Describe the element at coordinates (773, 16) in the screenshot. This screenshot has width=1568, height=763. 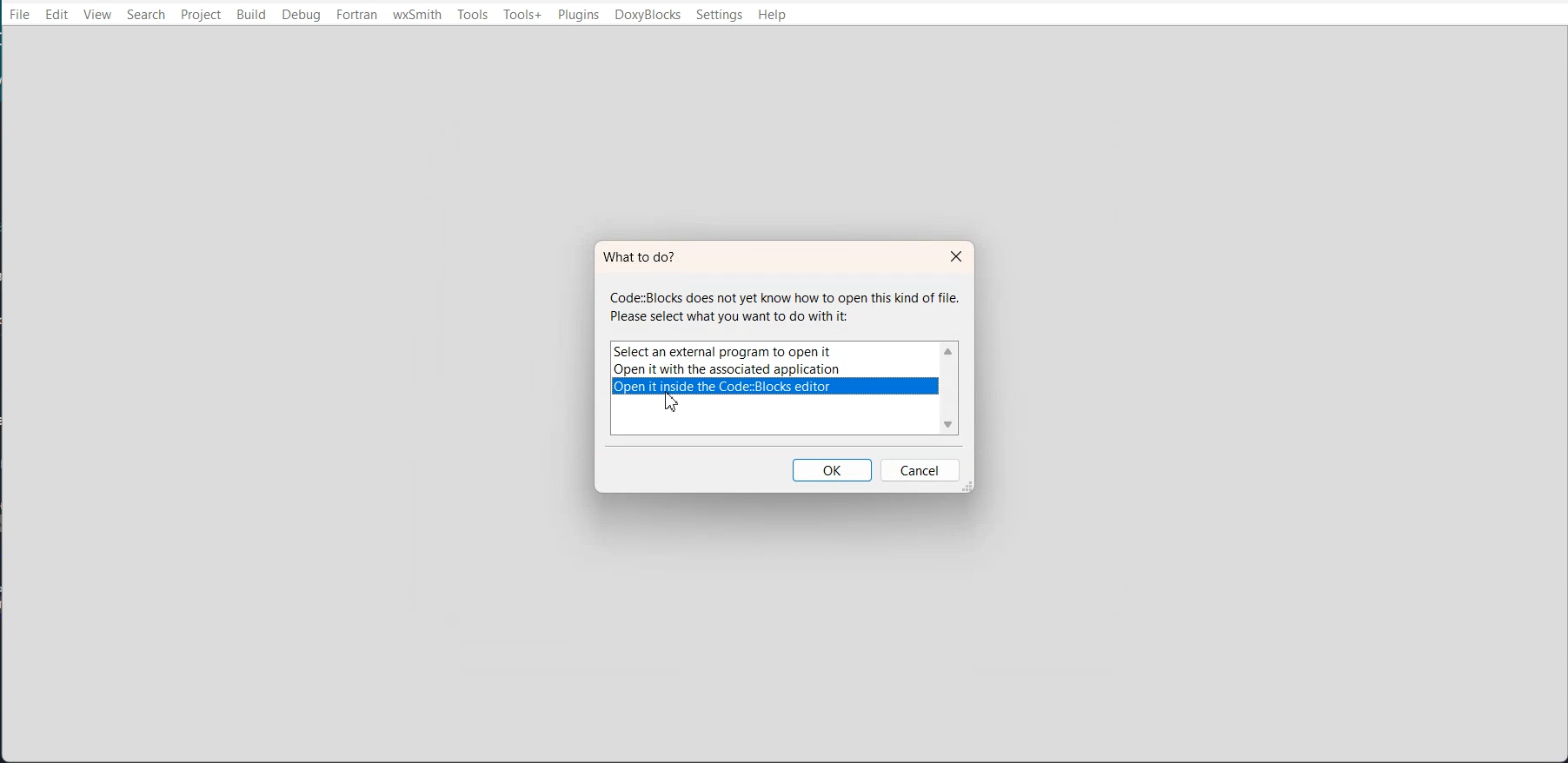
I see `Help` at that location.